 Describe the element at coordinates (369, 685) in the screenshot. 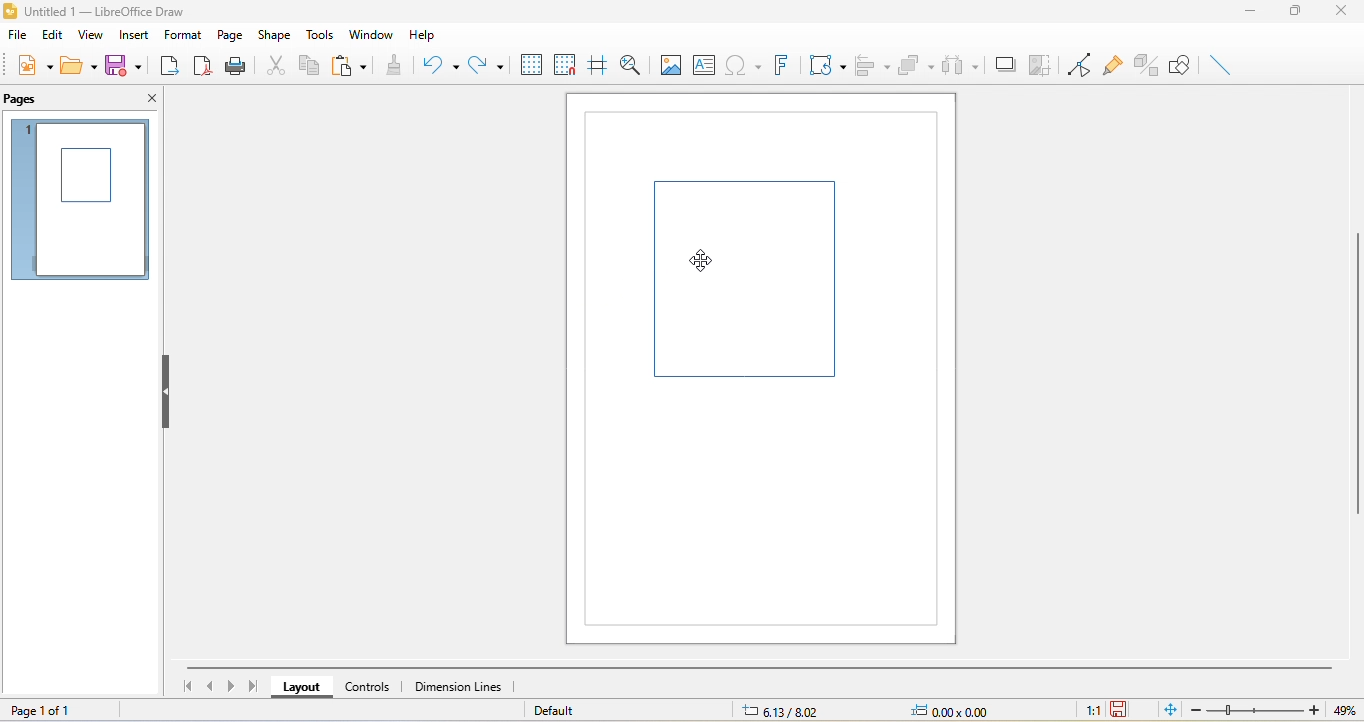

I see `controls` at that location.